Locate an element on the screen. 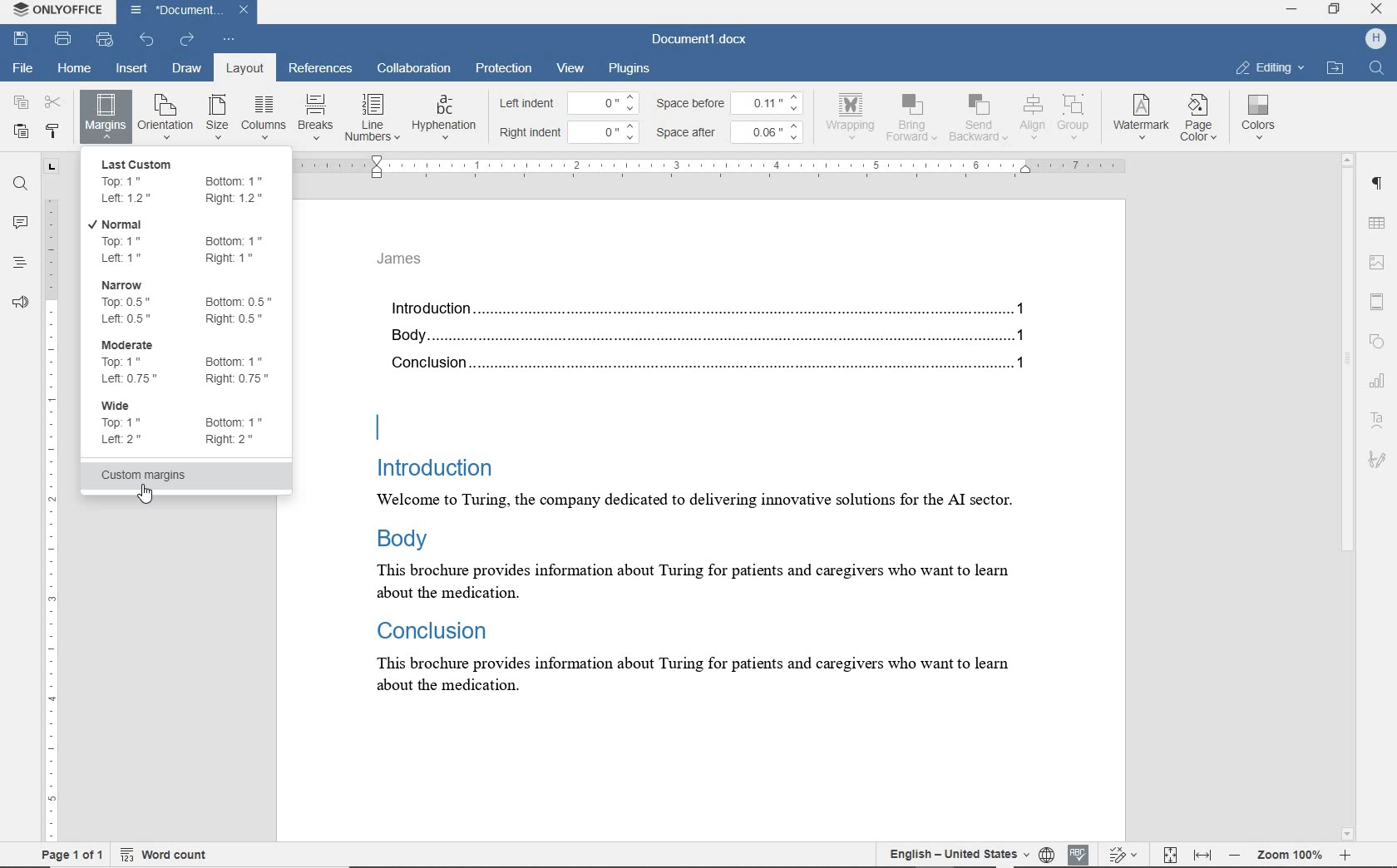  0.11 is located at coordinates (772, 101).